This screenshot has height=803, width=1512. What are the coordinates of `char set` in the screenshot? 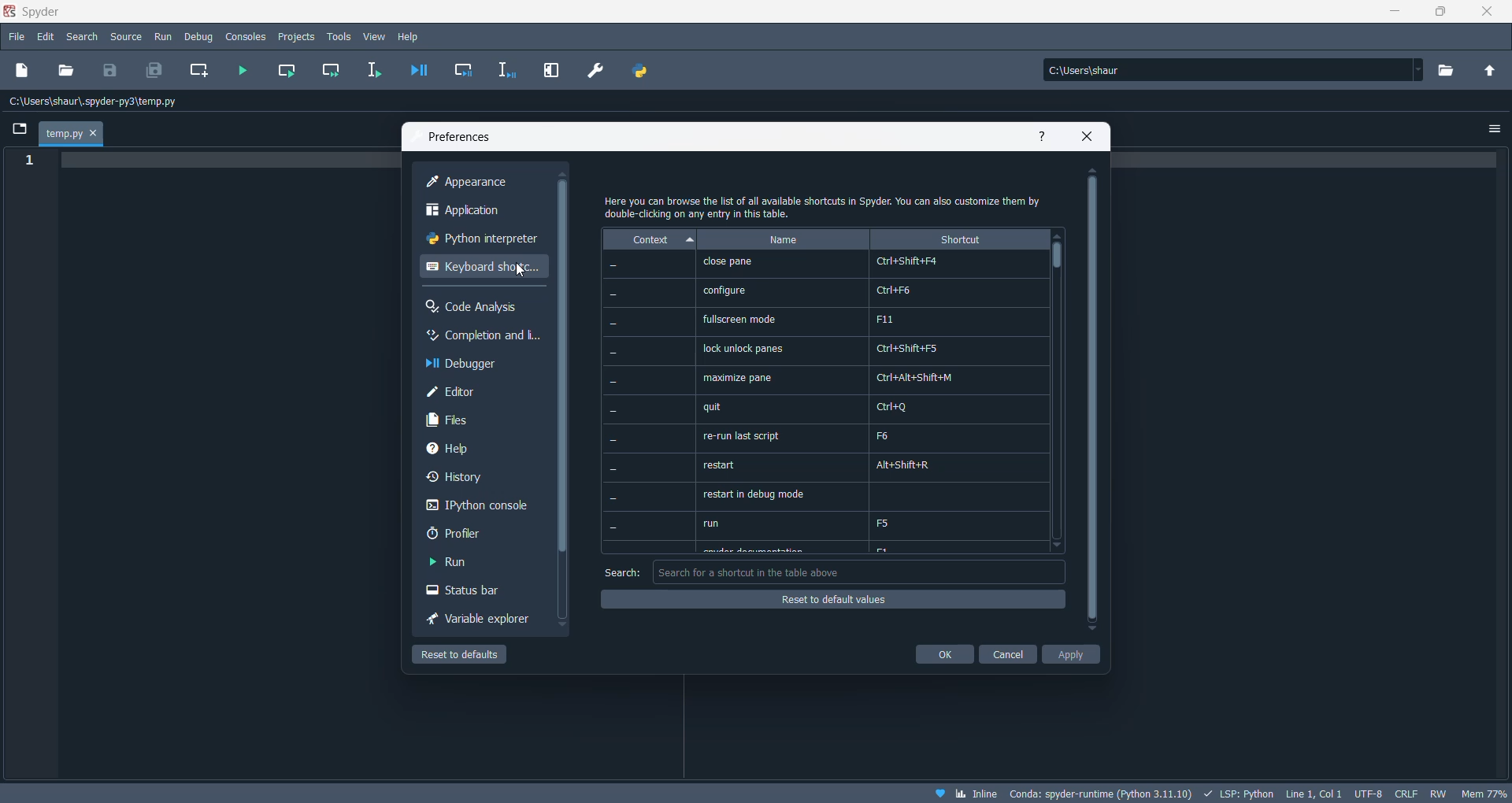 It's located at (1368, 791).